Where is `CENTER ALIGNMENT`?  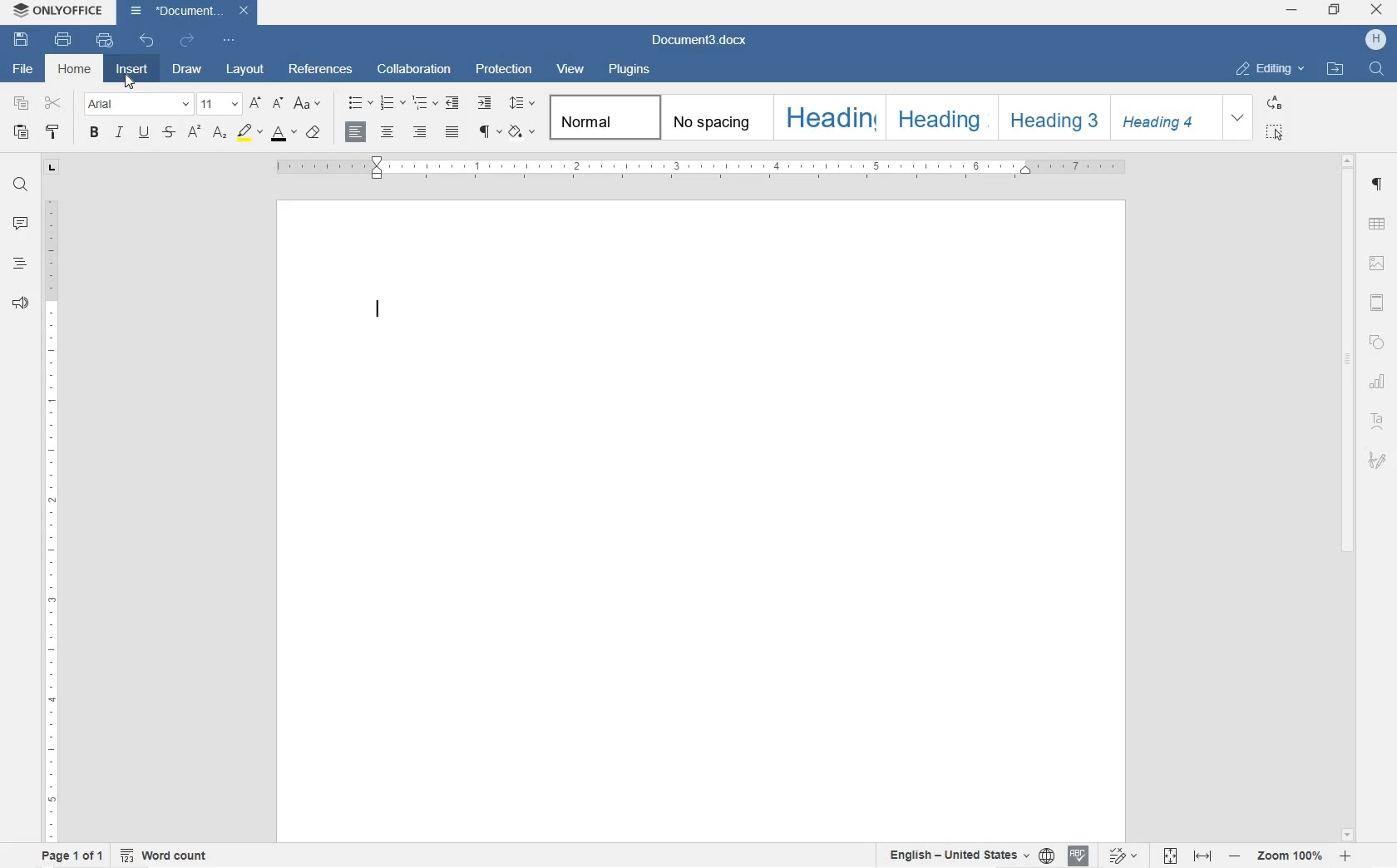 CENTER ALIGNMENT is located at coordinates (388, 132).